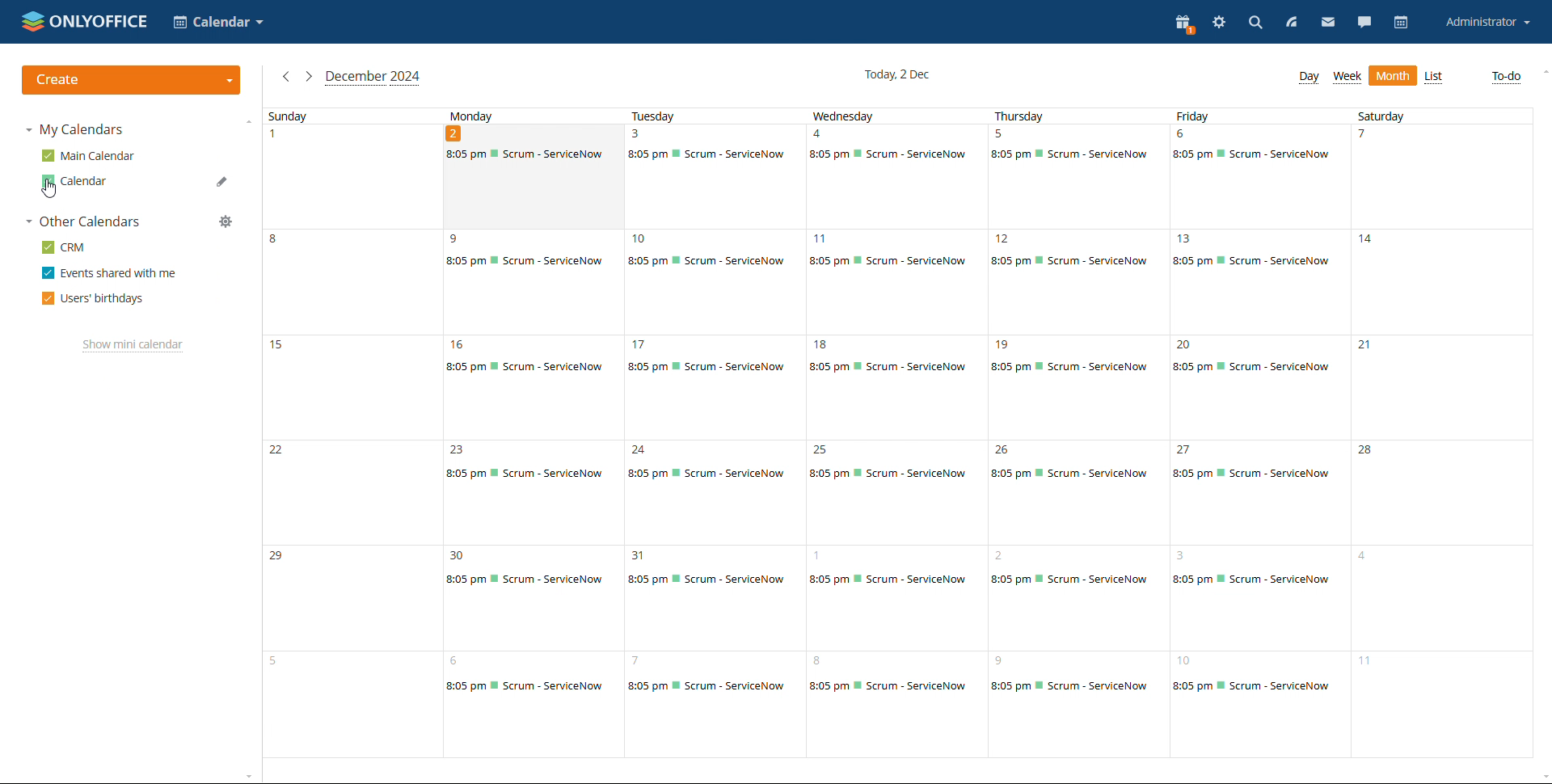 Image resolution: width=1552 pixels, height=784 pixels. Describe the element at coordinates (1364, 23) in the screenshot. I see `chat` at that location.